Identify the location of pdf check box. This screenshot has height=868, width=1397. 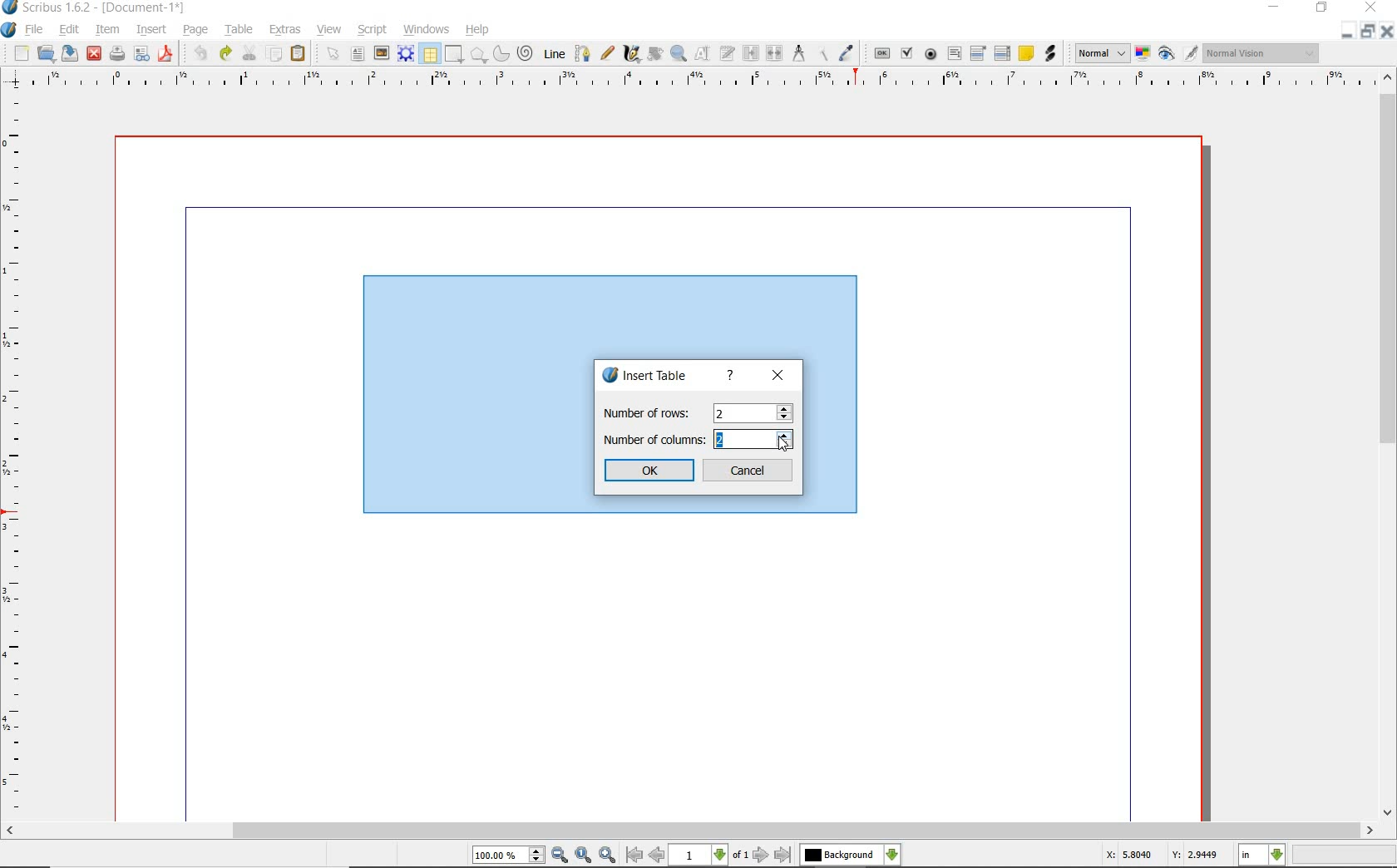
(909, 55).